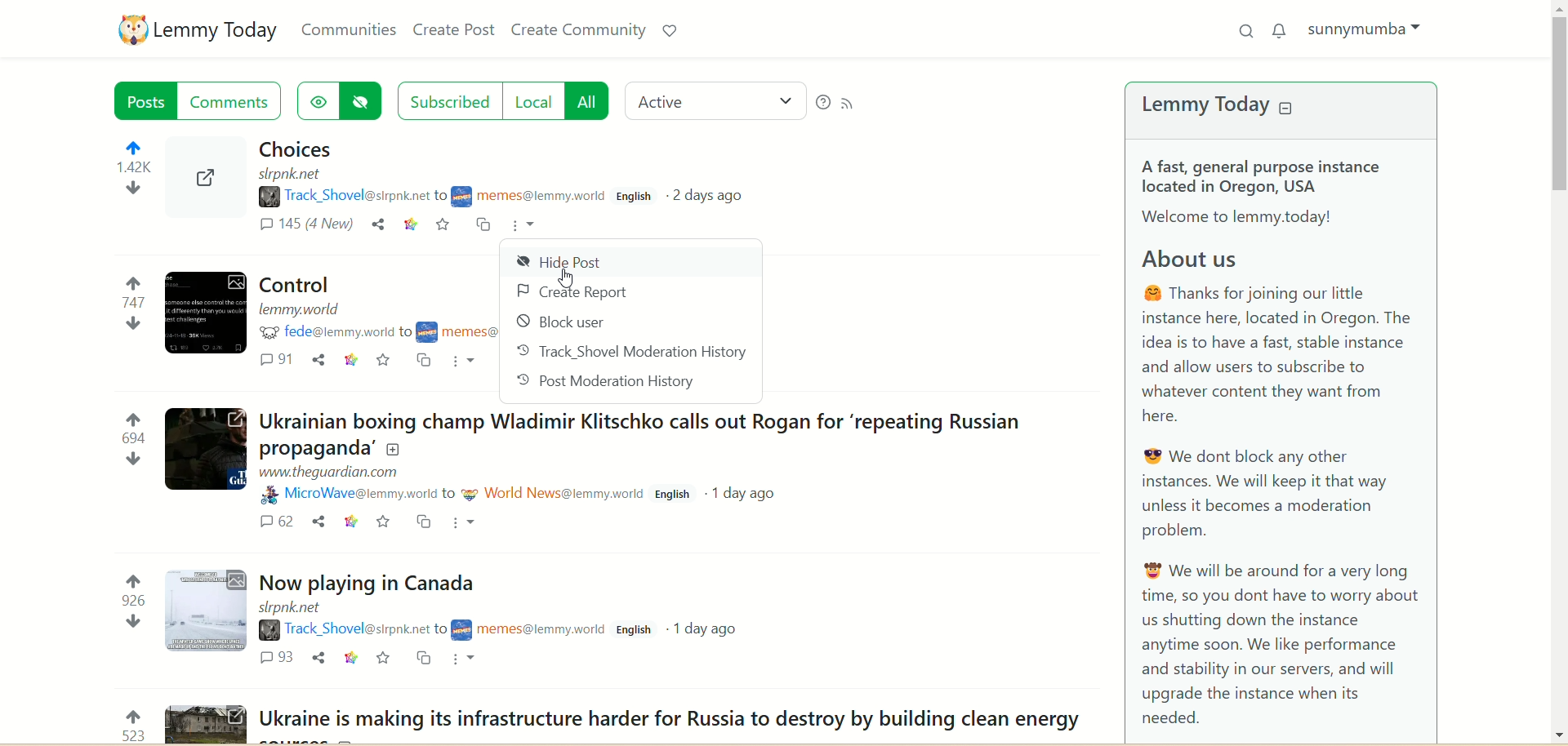  I want to click on comments, so click(278, 658).